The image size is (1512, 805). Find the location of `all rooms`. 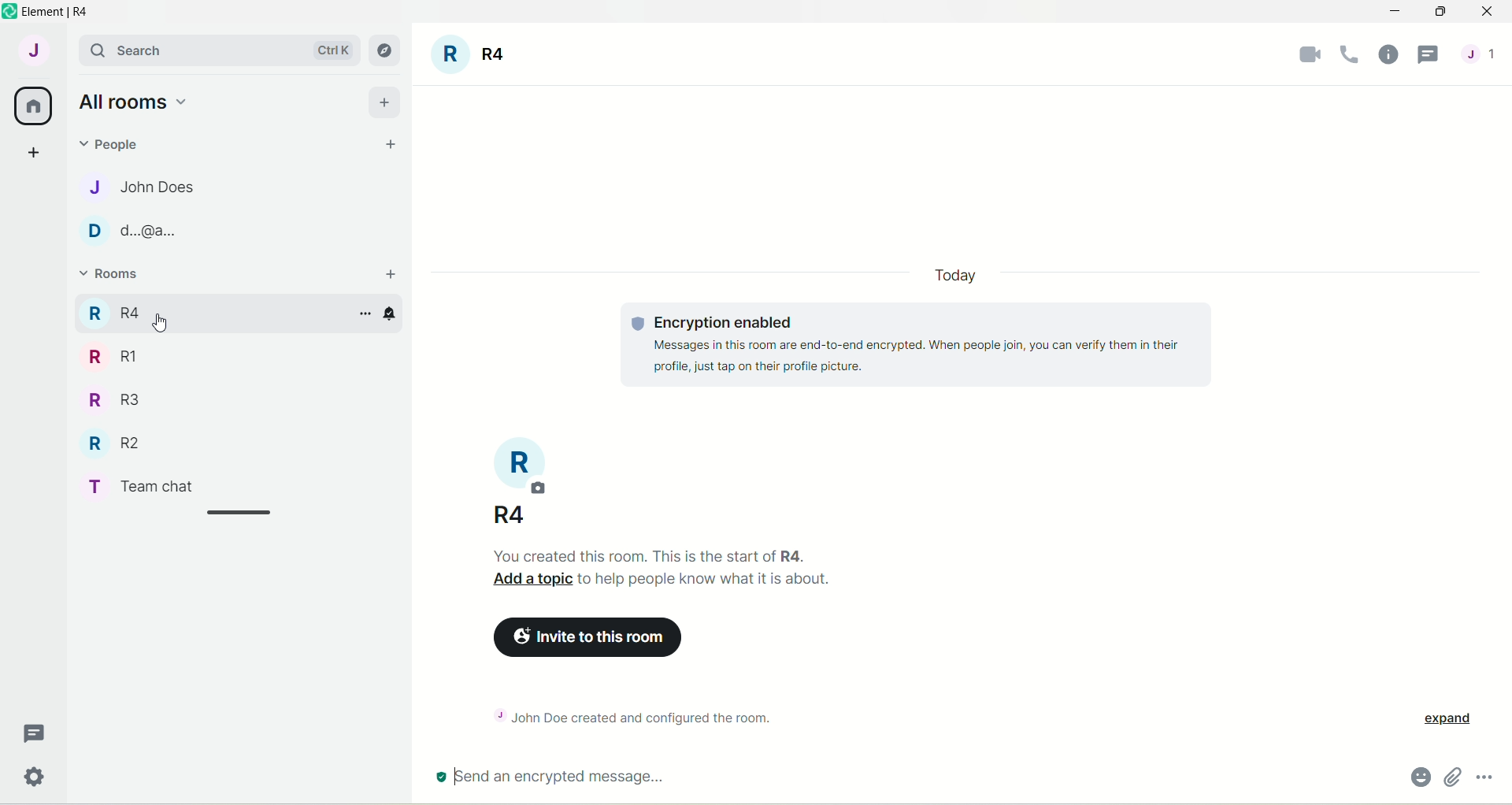

all rooms is located at coordinates (34, 106).